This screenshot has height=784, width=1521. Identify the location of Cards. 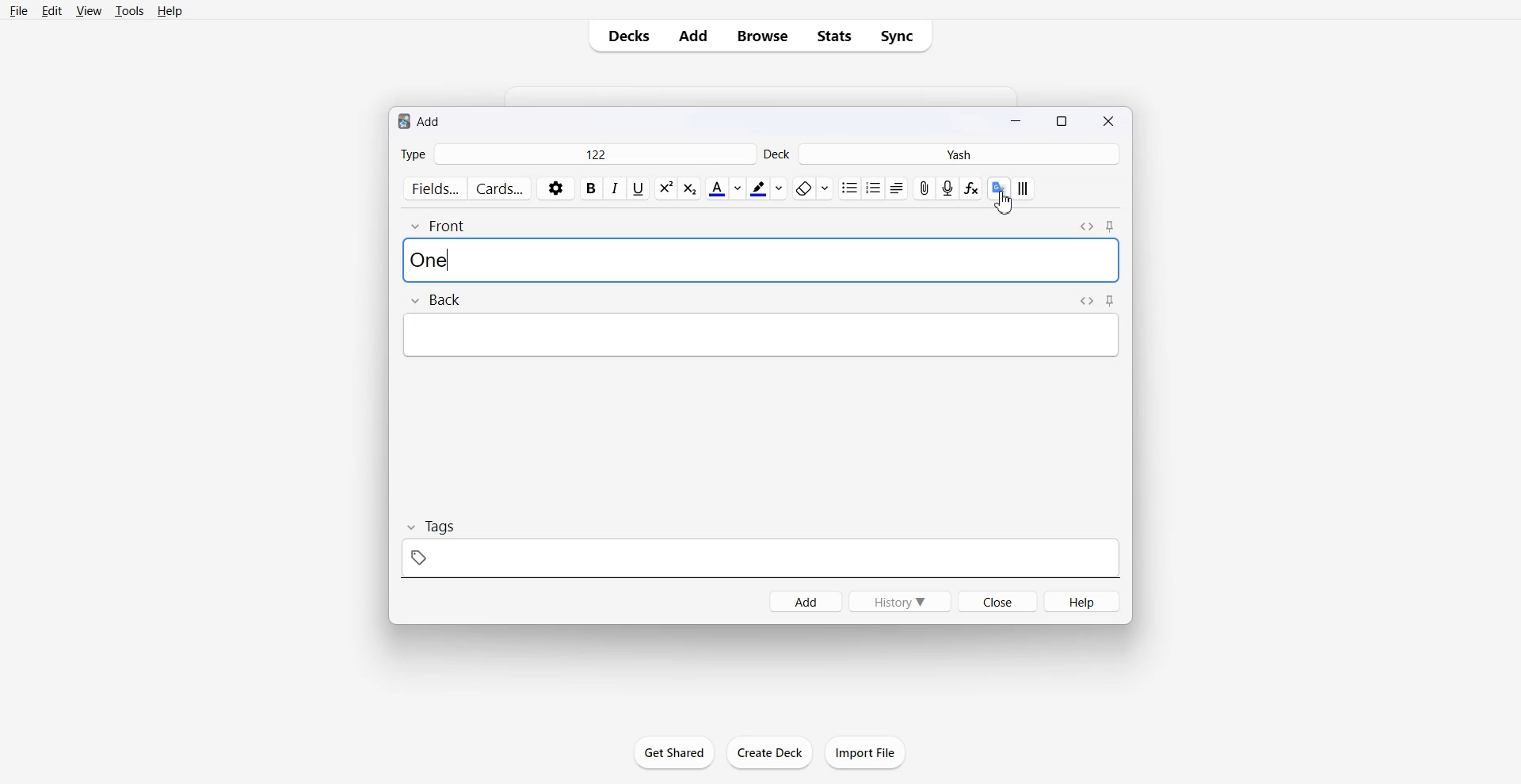
(501, 188).